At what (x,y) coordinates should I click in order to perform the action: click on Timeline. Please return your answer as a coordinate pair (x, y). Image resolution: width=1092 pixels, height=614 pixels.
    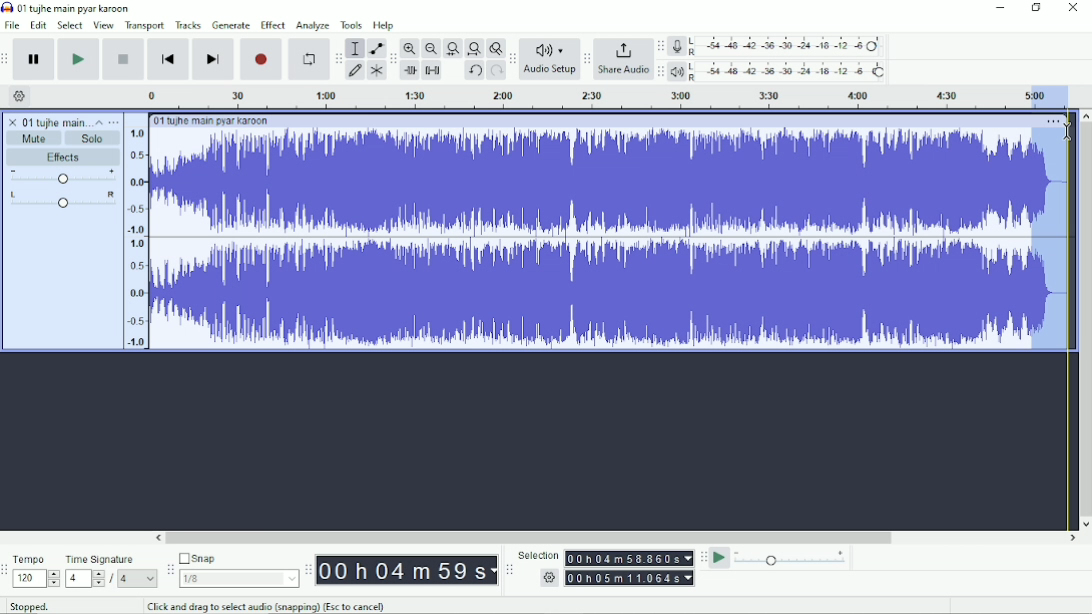
    Looking at the image, I should click on (615, 96).